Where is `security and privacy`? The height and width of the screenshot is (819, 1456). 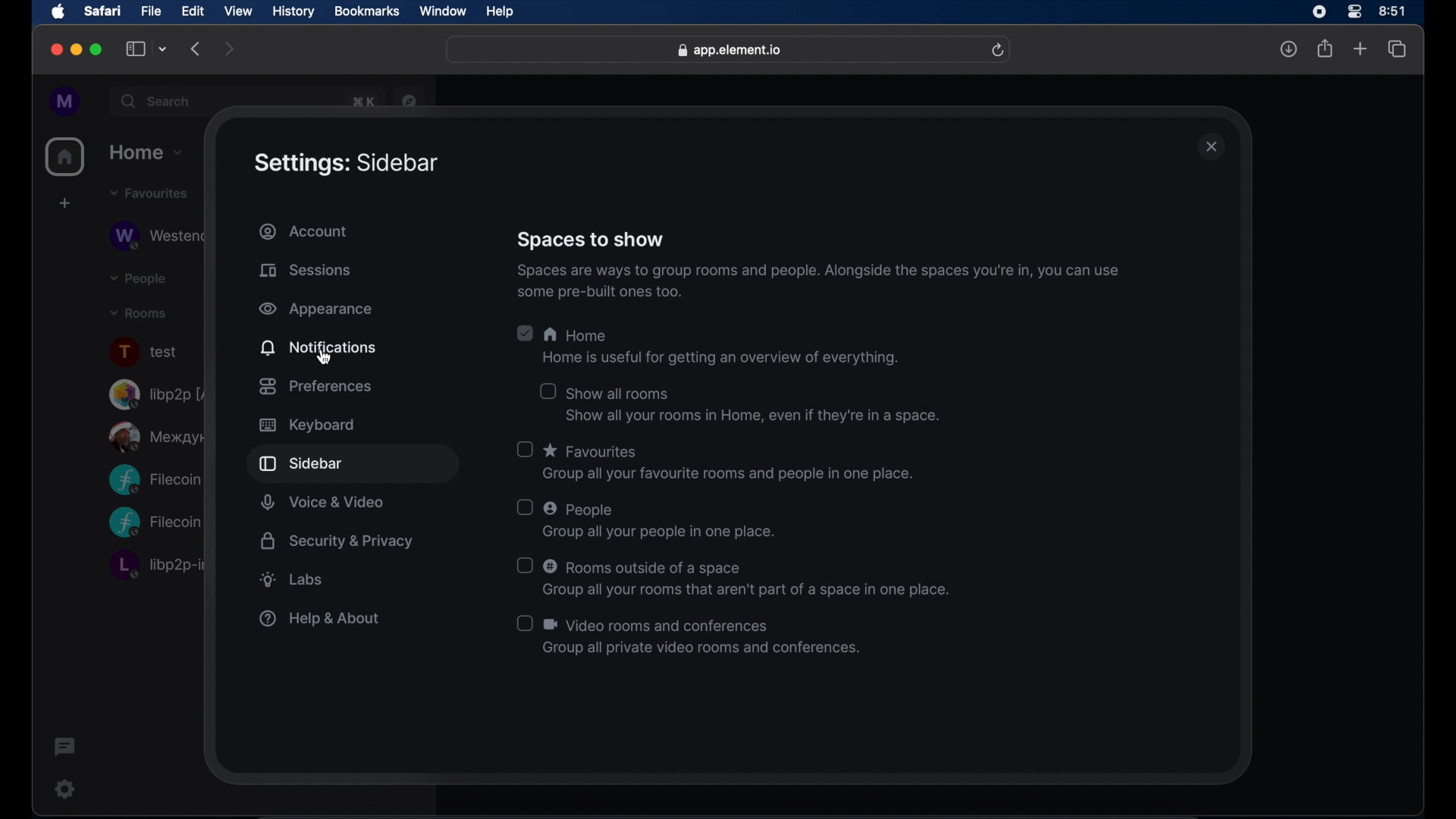
security and privacy is located at coordinates (337, 541).